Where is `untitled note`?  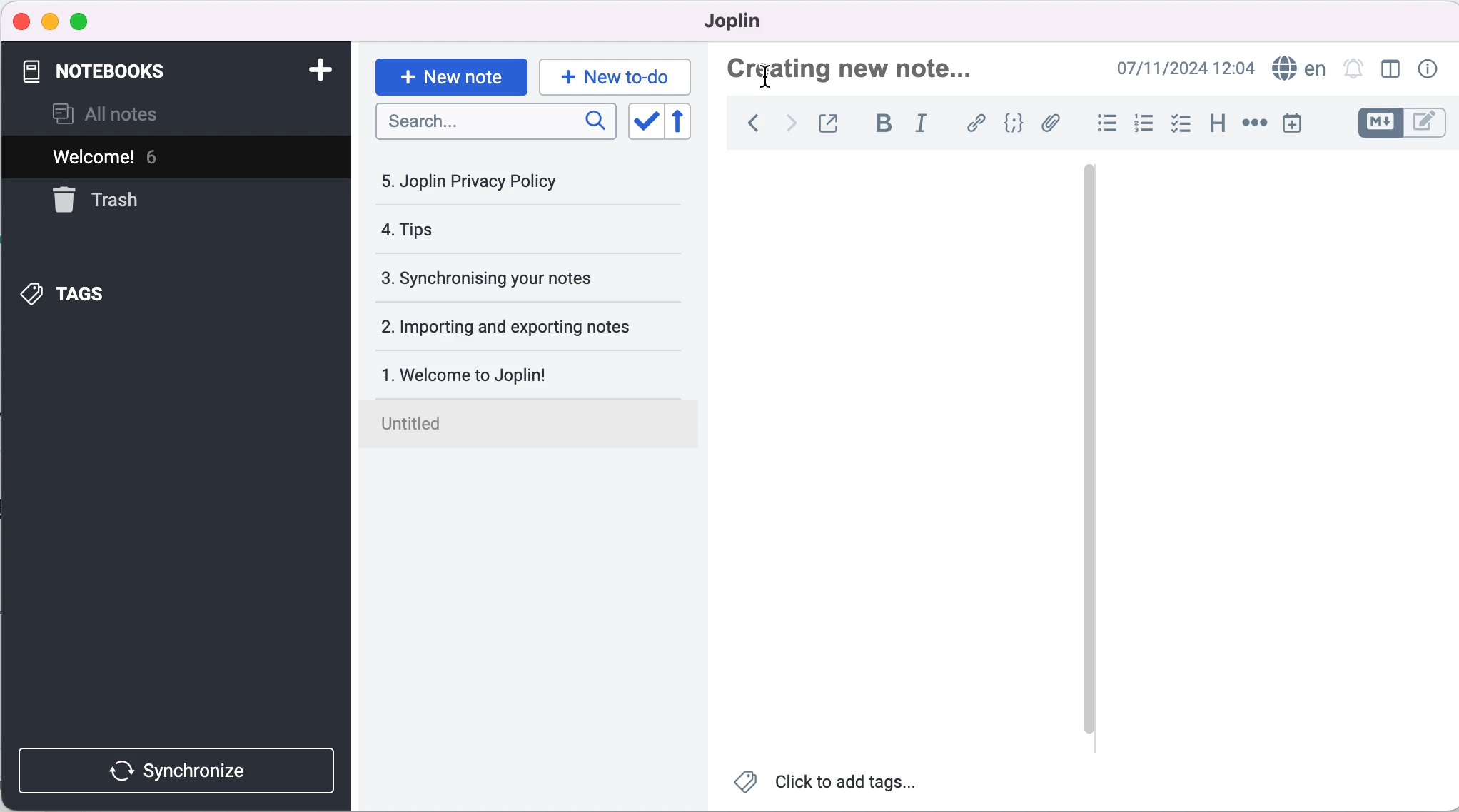 untitled note is located at coordinates (533, 421).